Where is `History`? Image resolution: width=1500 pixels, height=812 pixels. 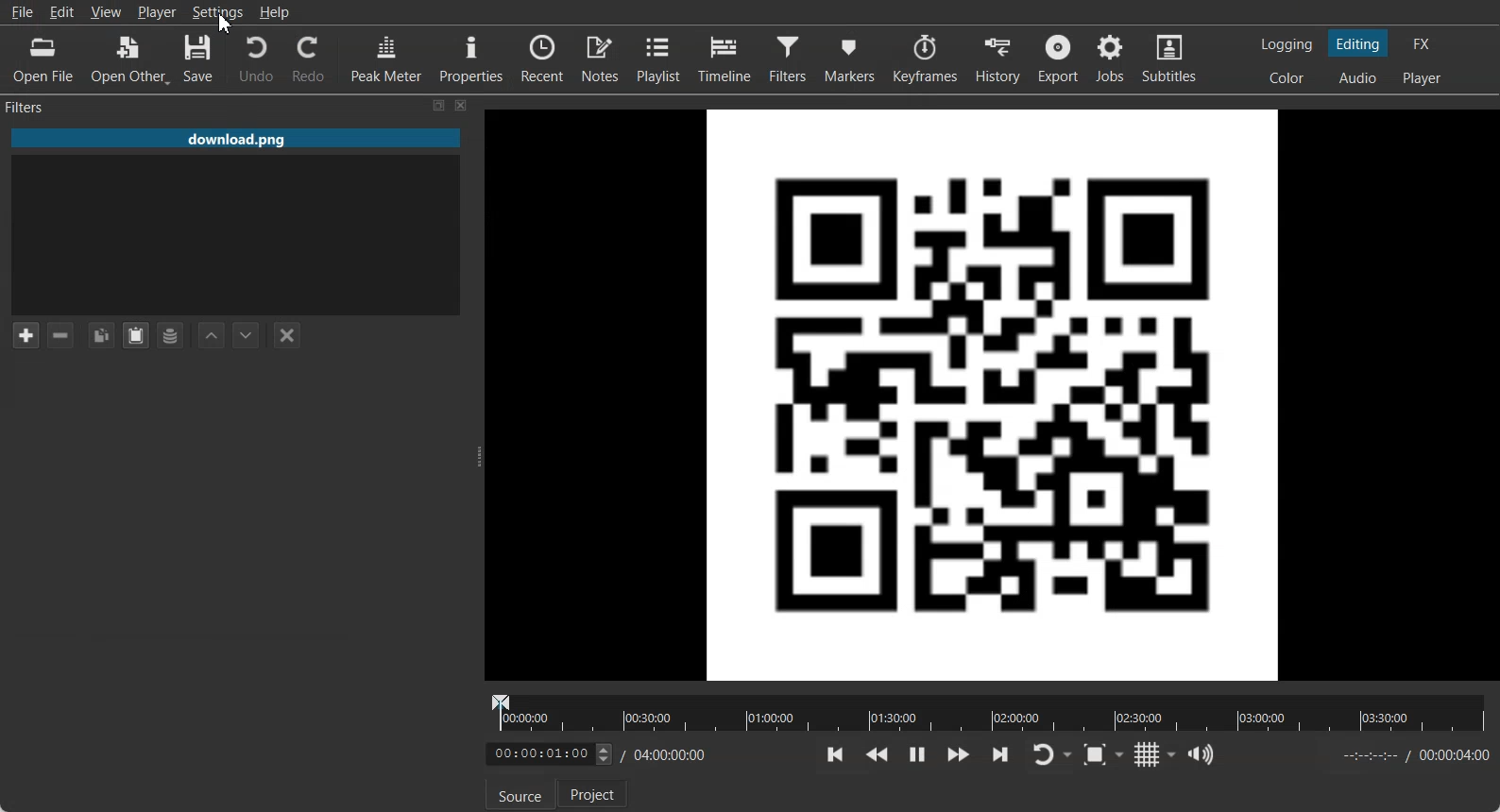
History is located at coordinates (997, 59).